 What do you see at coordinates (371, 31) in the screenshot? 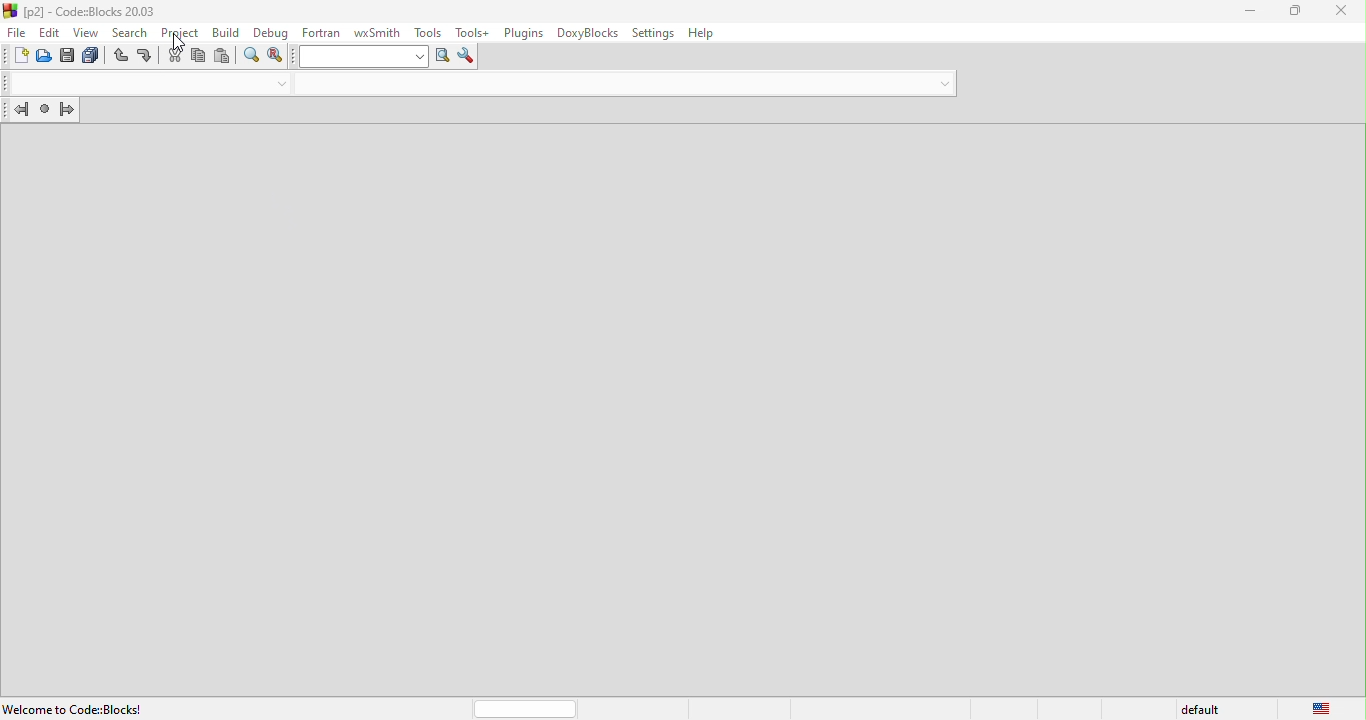
I see `wxsmith` at bounding box center [371, 31].